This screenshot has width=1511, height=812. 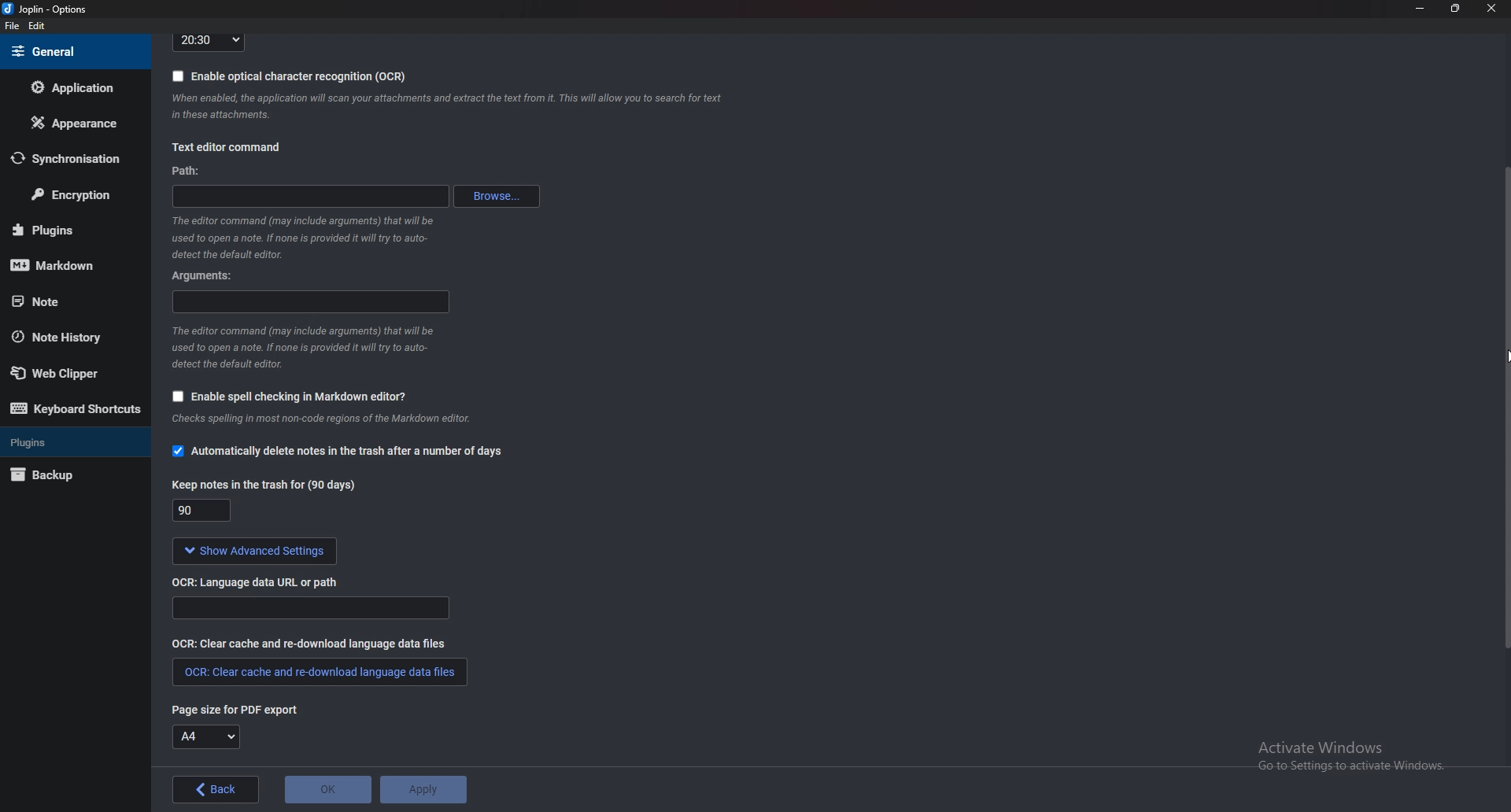 What do you see at coordinates (285, 398) in the screenshot?
I see `Enable spell checking` at bounding box center [285, 398].